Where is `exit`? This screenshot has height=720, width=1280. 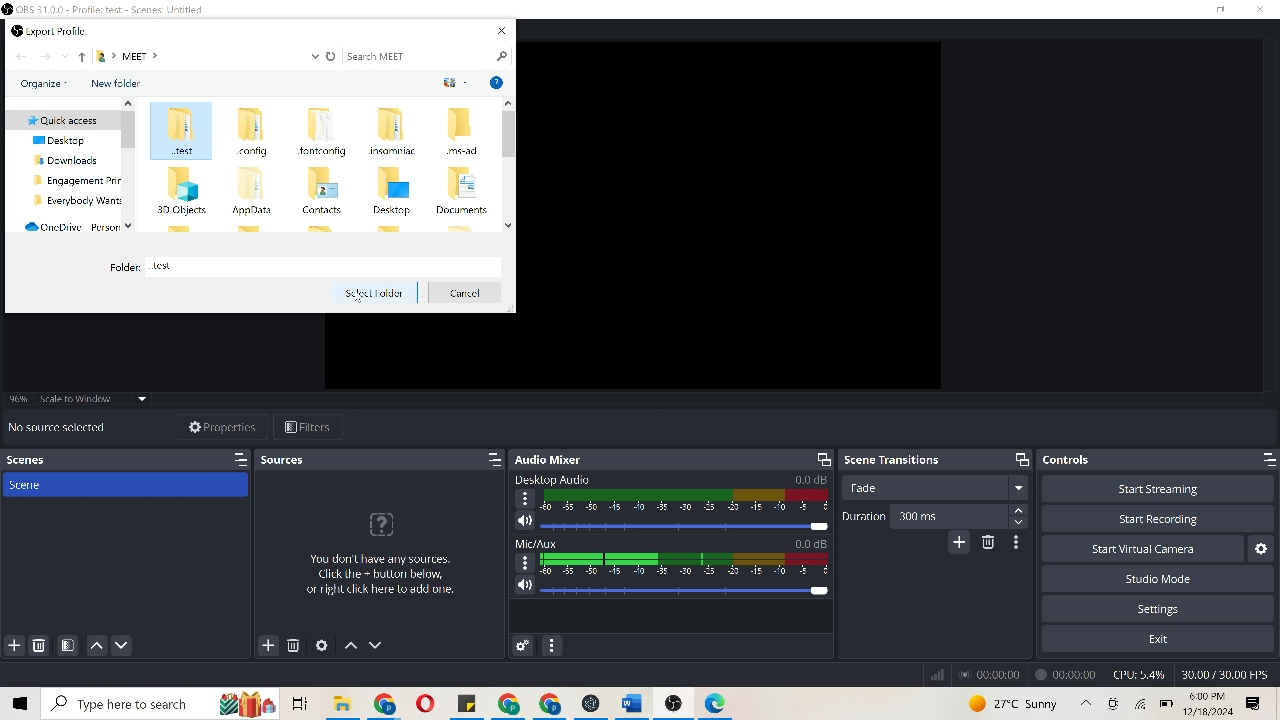 exit is located at coordinates (1156, 636).